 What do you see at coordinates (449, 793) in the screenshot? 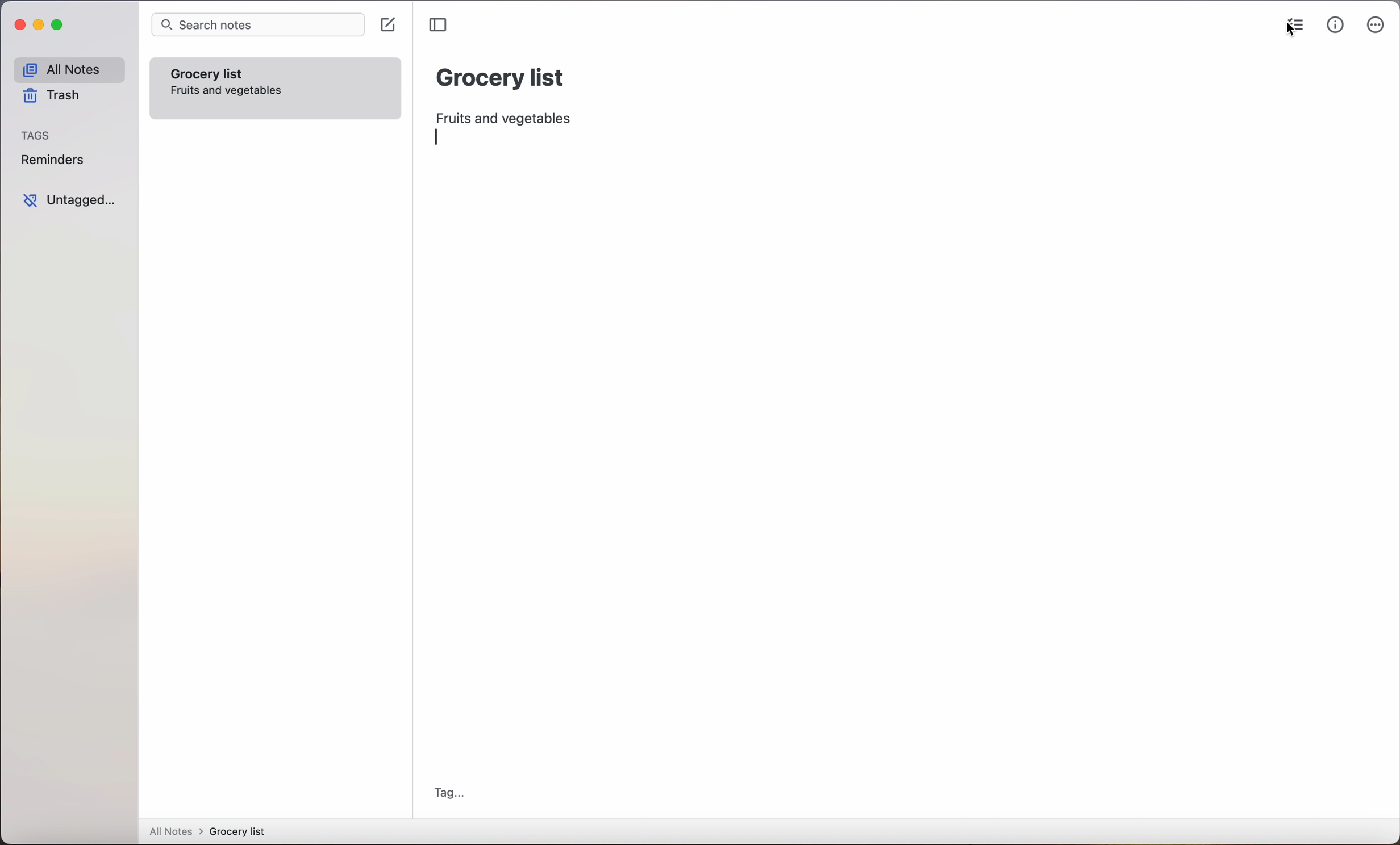
I see `tag` at bounding box center [449, 793].